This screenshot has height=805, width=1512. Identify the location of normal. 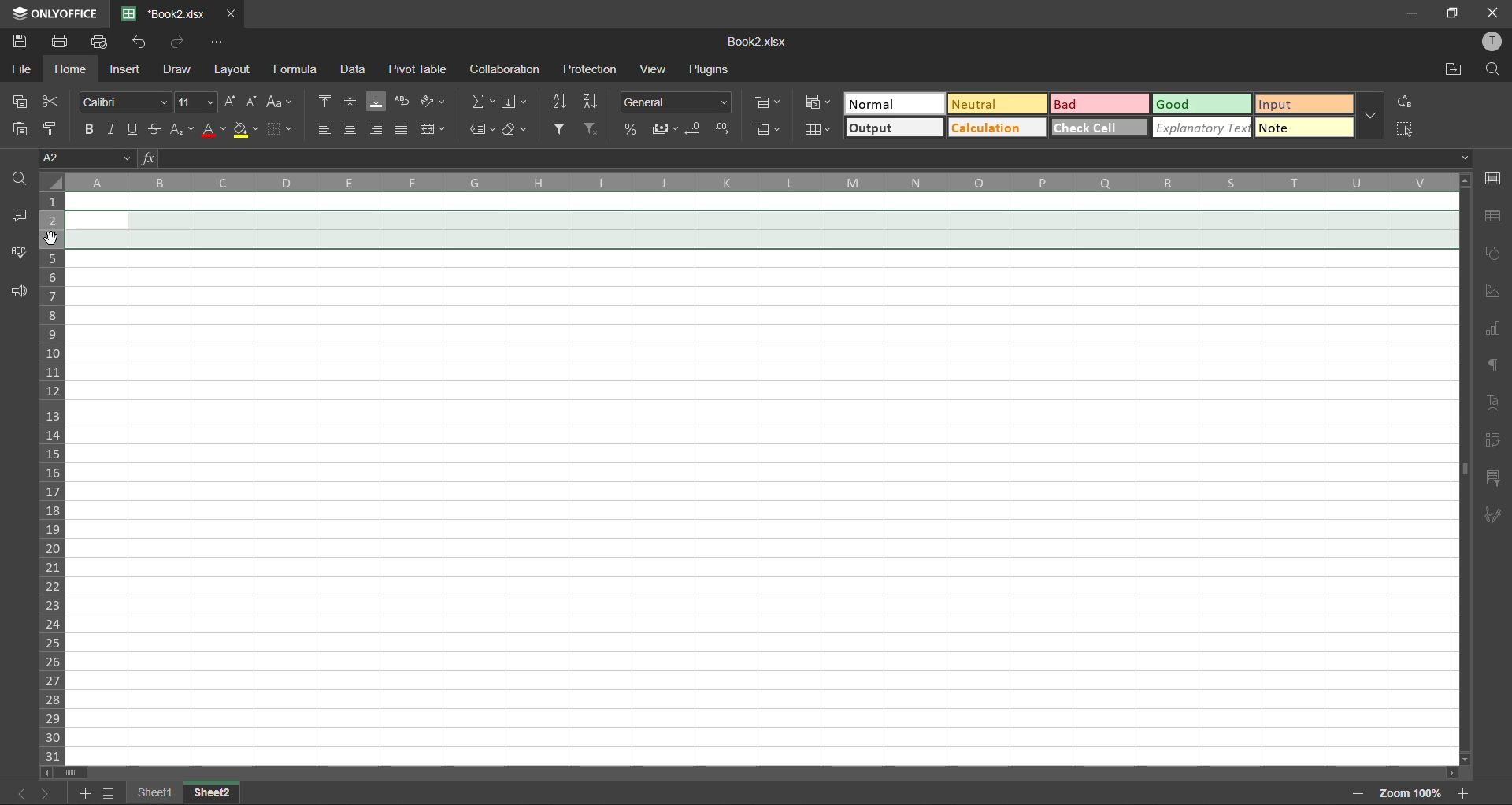
(891, 103).